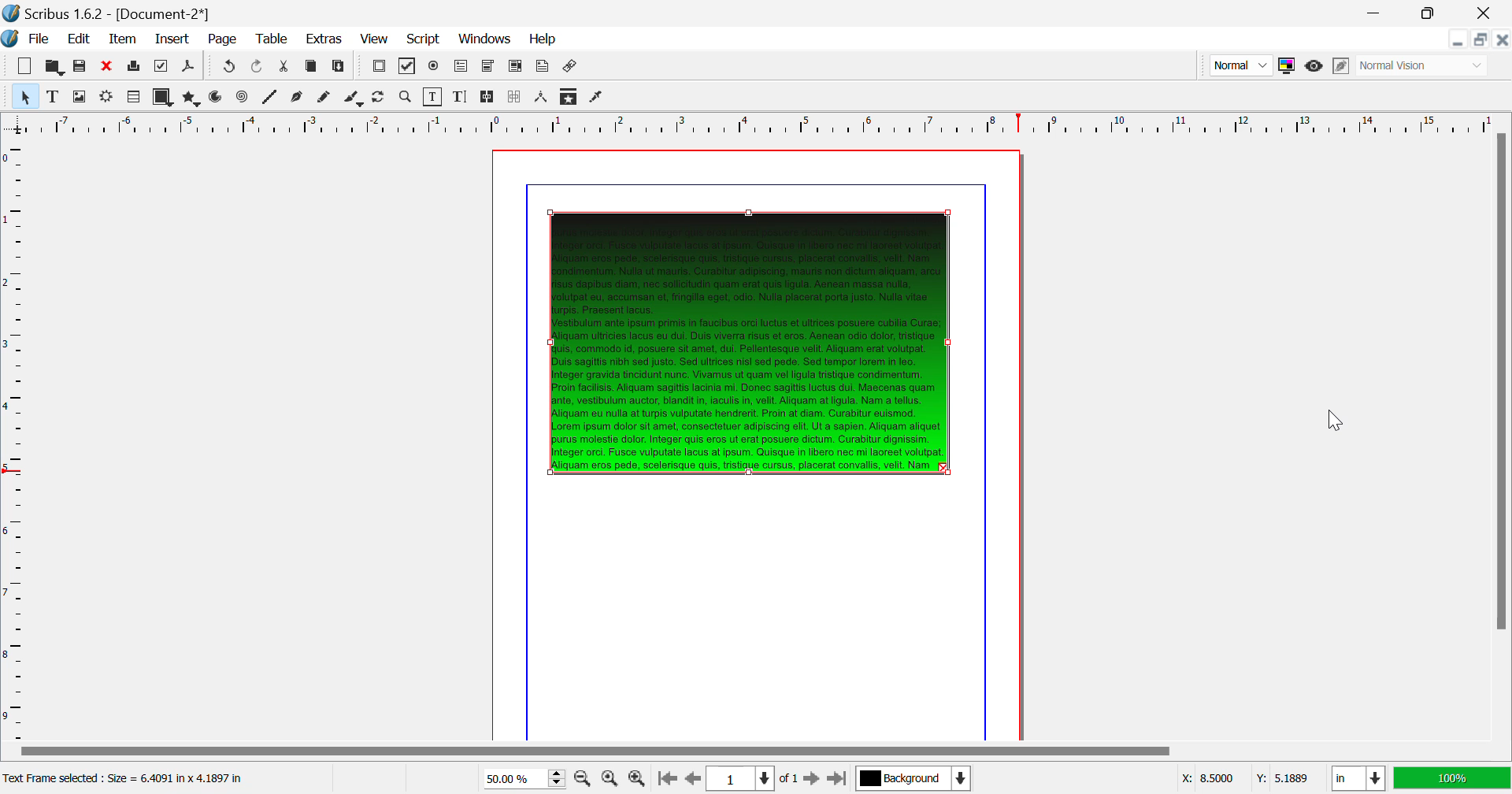 Image resolution: width=1512 pixels, height=794 pixels. I want to click on Discard, so click(107, 66).